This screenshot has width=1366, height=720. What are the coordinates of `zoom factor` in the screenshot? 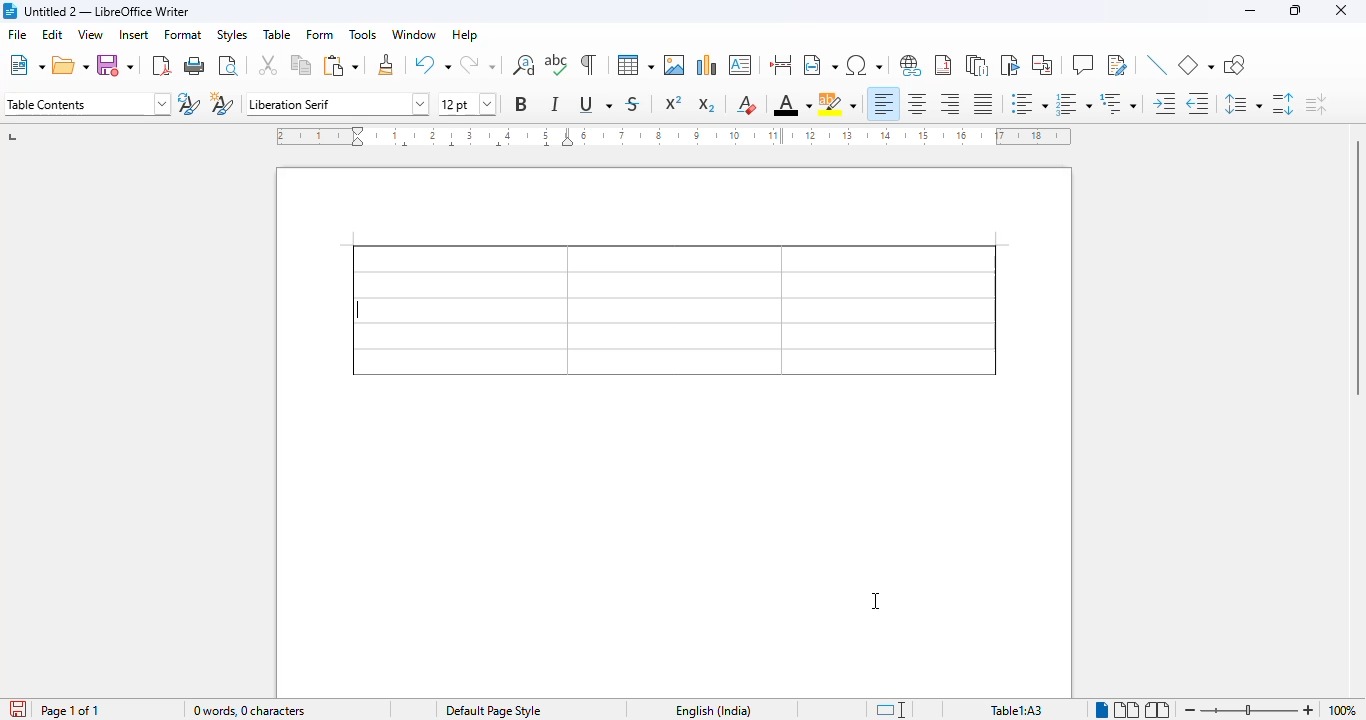 It's located at (1342, 710).